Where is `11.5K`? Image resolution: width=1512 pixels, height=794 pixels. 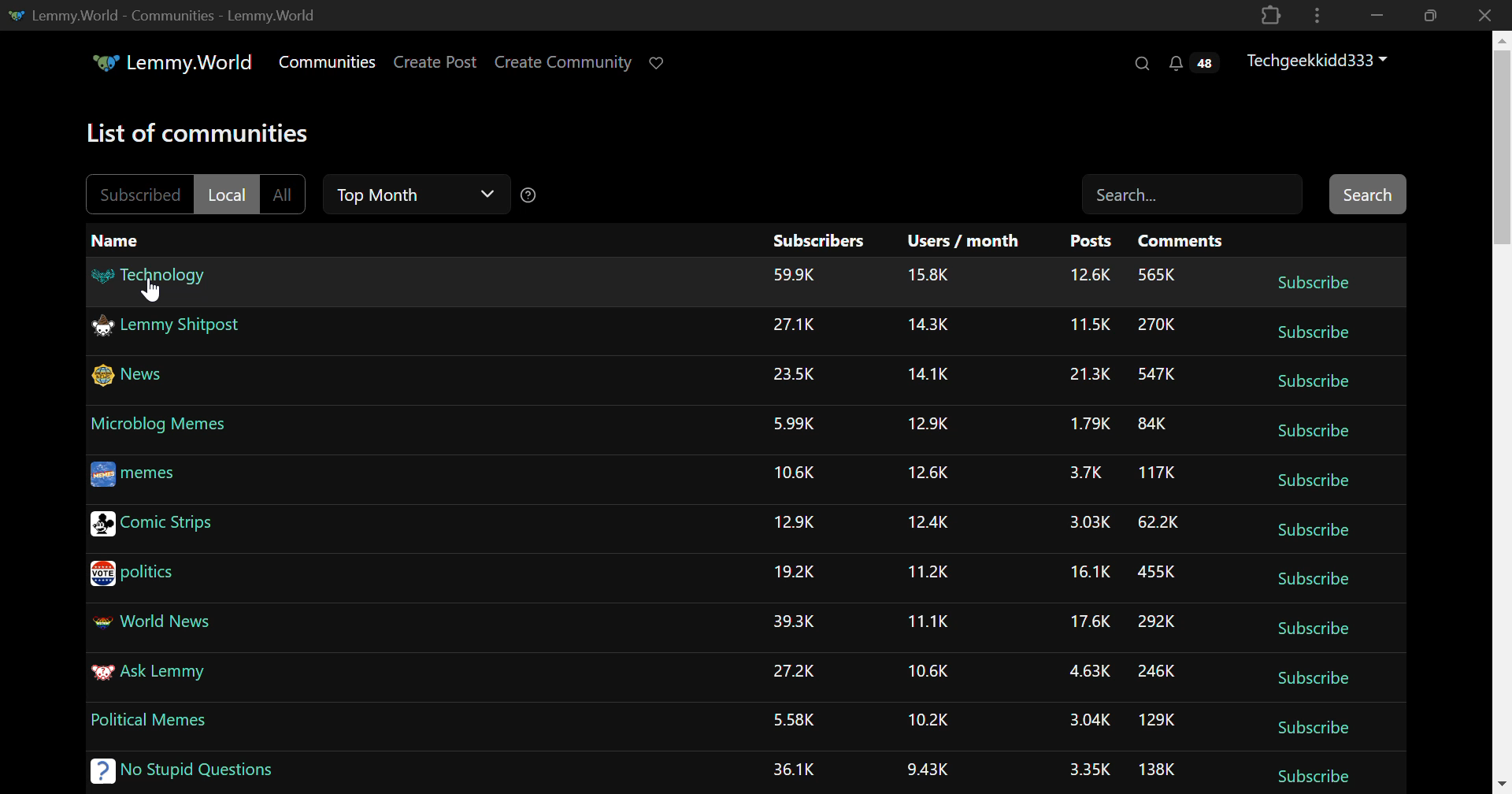
11.5K is located at coordinates (1088, 325).